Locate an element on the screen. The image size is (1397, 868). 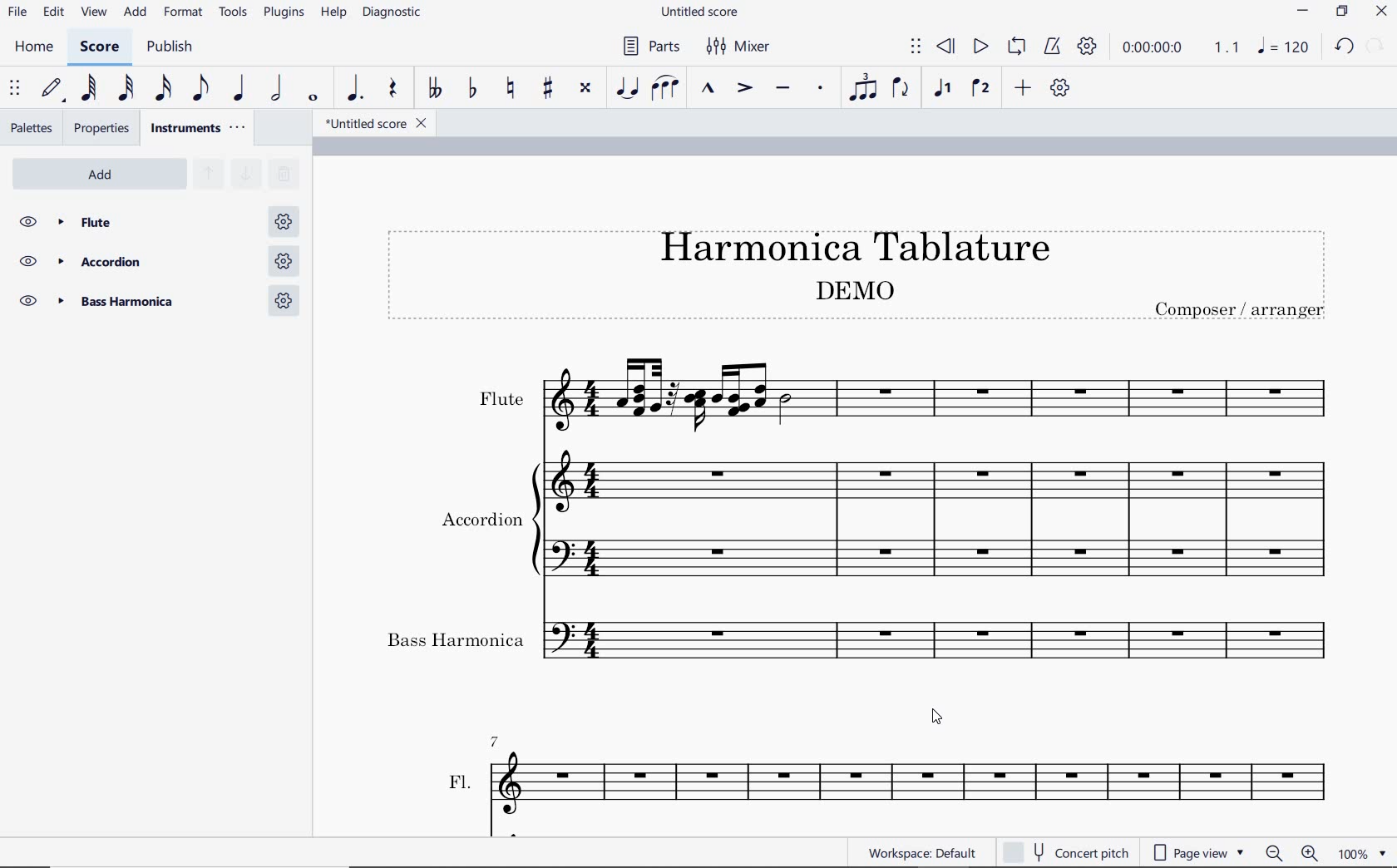
flip direction is located at coordinates (902, 89).